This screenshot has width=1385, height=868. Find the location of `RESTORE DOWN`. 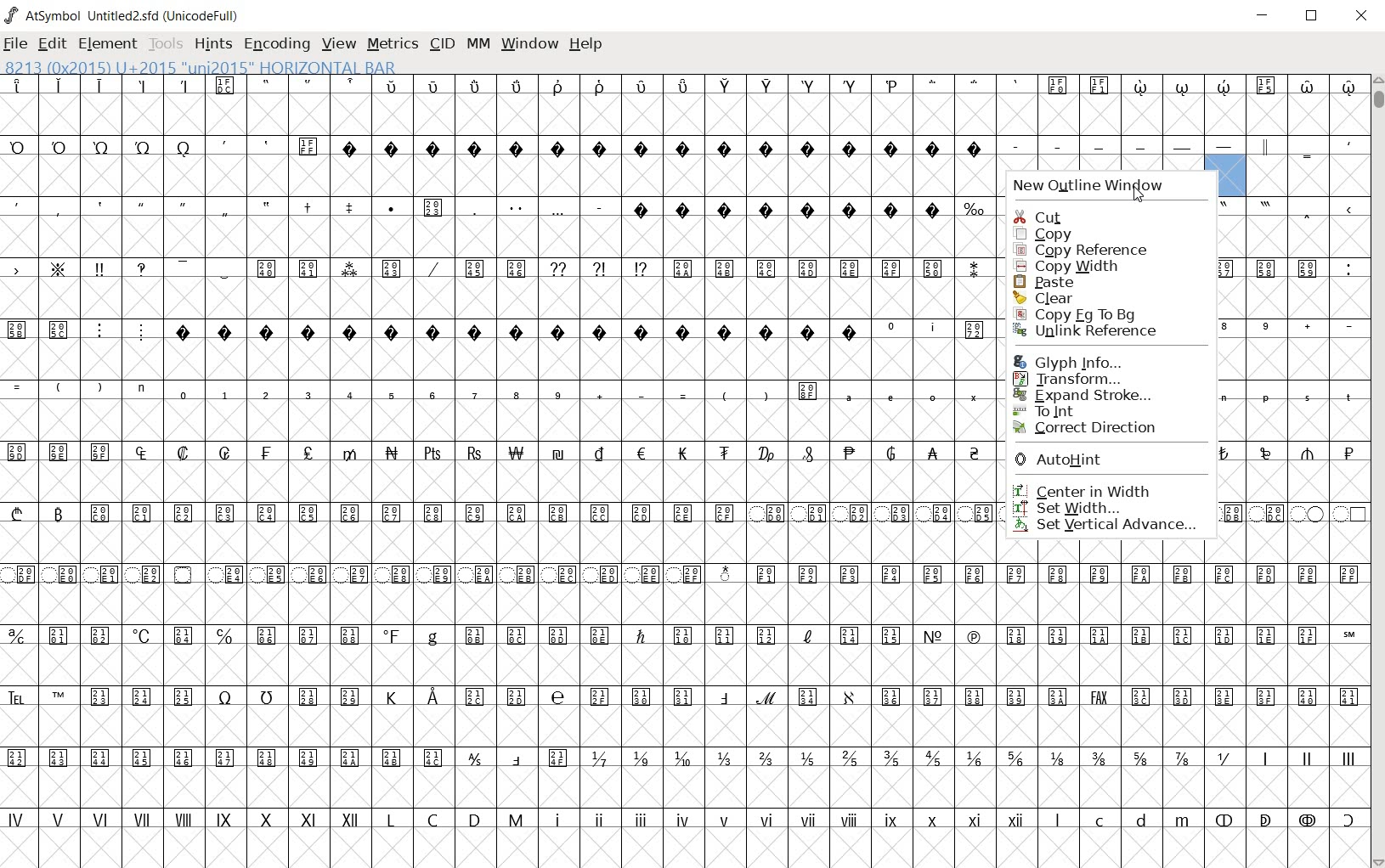

RESTORE DOWN is located at coordinates (1314, 17).